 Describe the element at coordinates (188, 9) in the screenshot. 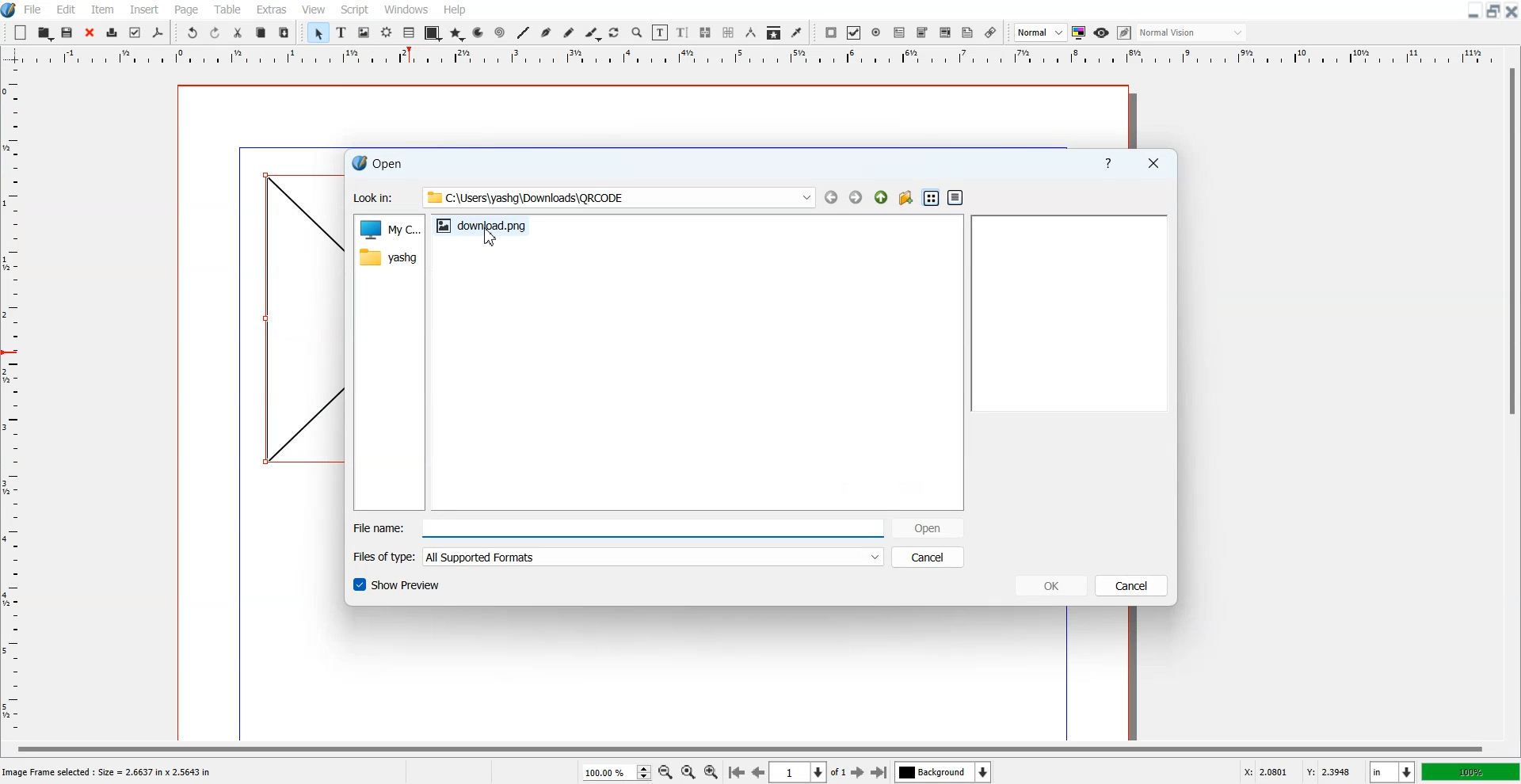

I see `Page` at that location.